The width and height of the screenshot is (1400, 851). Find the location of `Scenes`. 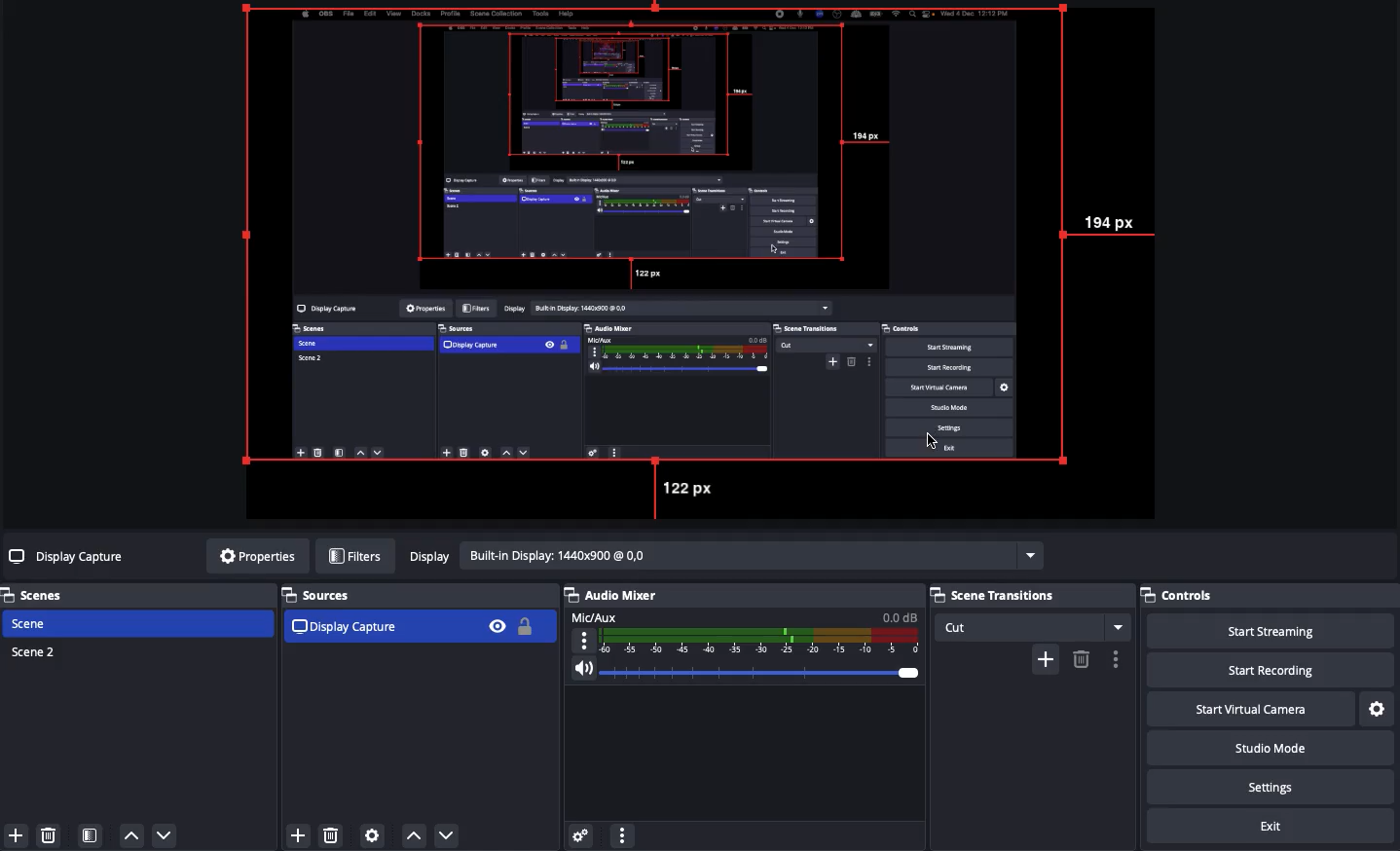

Scenes is located at coordinates (44, 595).